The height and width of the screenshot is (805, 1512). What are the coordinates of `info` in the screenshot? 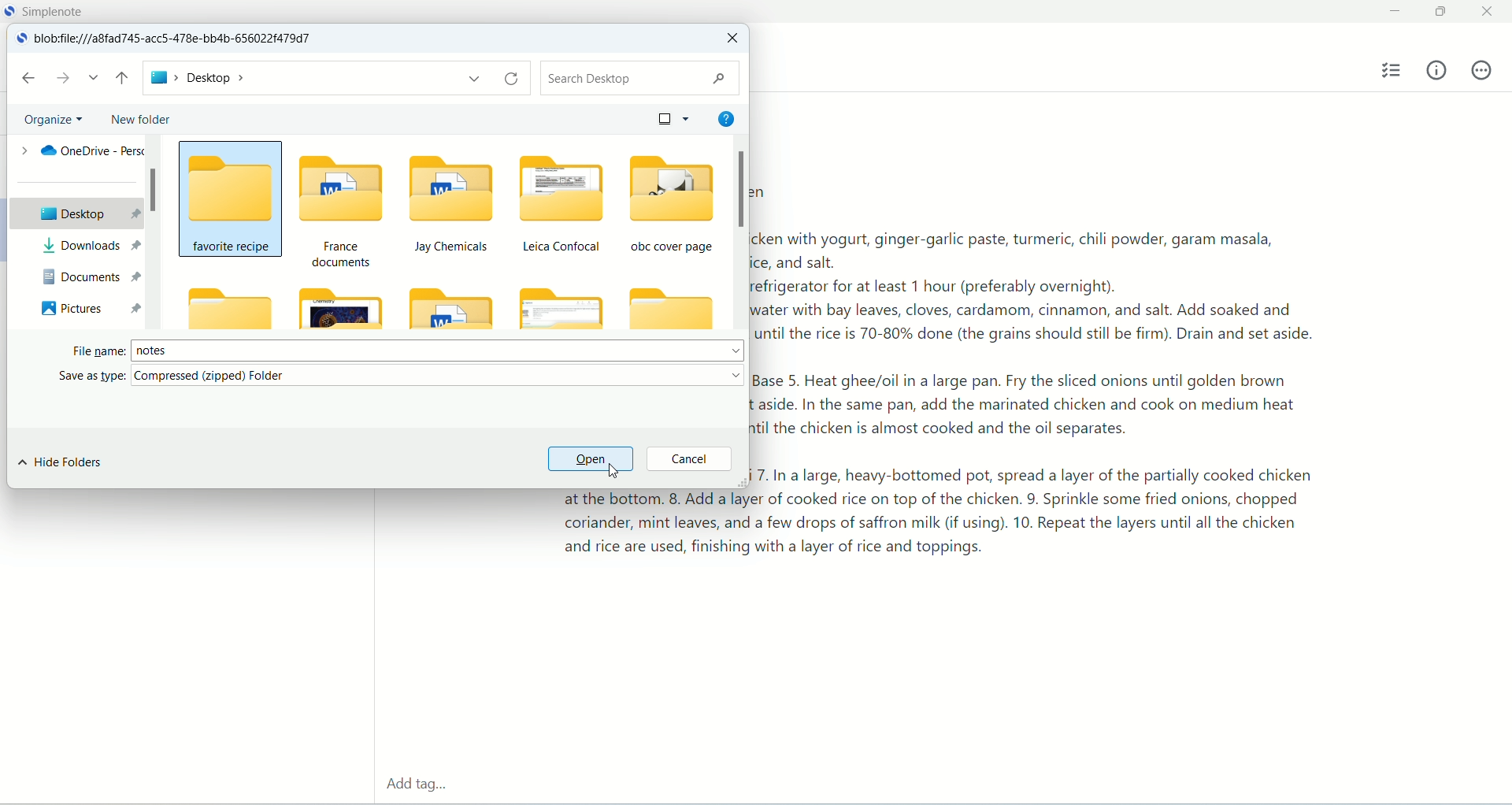 It's located at (1437, 69).